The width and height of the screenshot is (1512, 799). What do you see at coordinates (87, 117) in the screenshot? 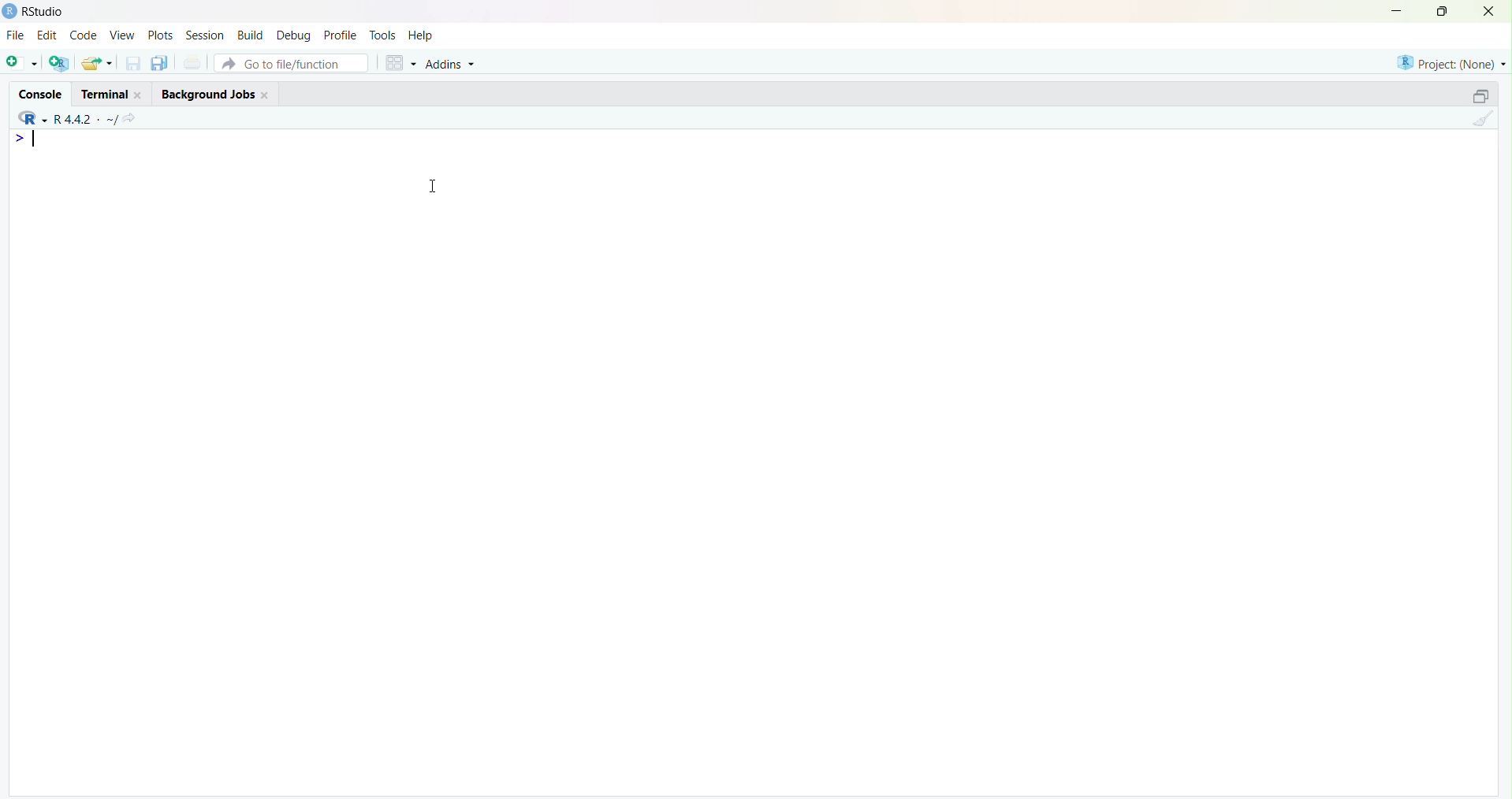
I see `R.4.4.2. ~/` at bounding box center [87, 117].